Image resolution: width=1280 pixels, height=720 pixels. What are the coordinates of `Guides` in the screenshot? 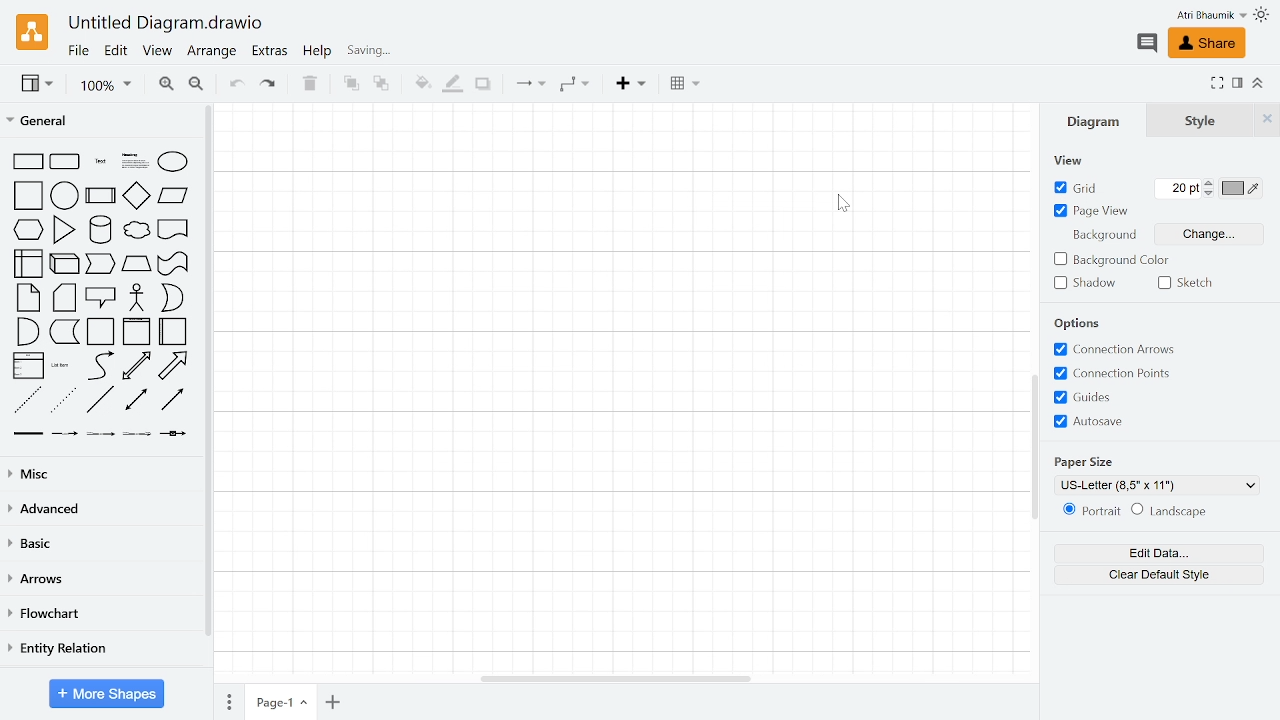 It's located at (1114, 397).